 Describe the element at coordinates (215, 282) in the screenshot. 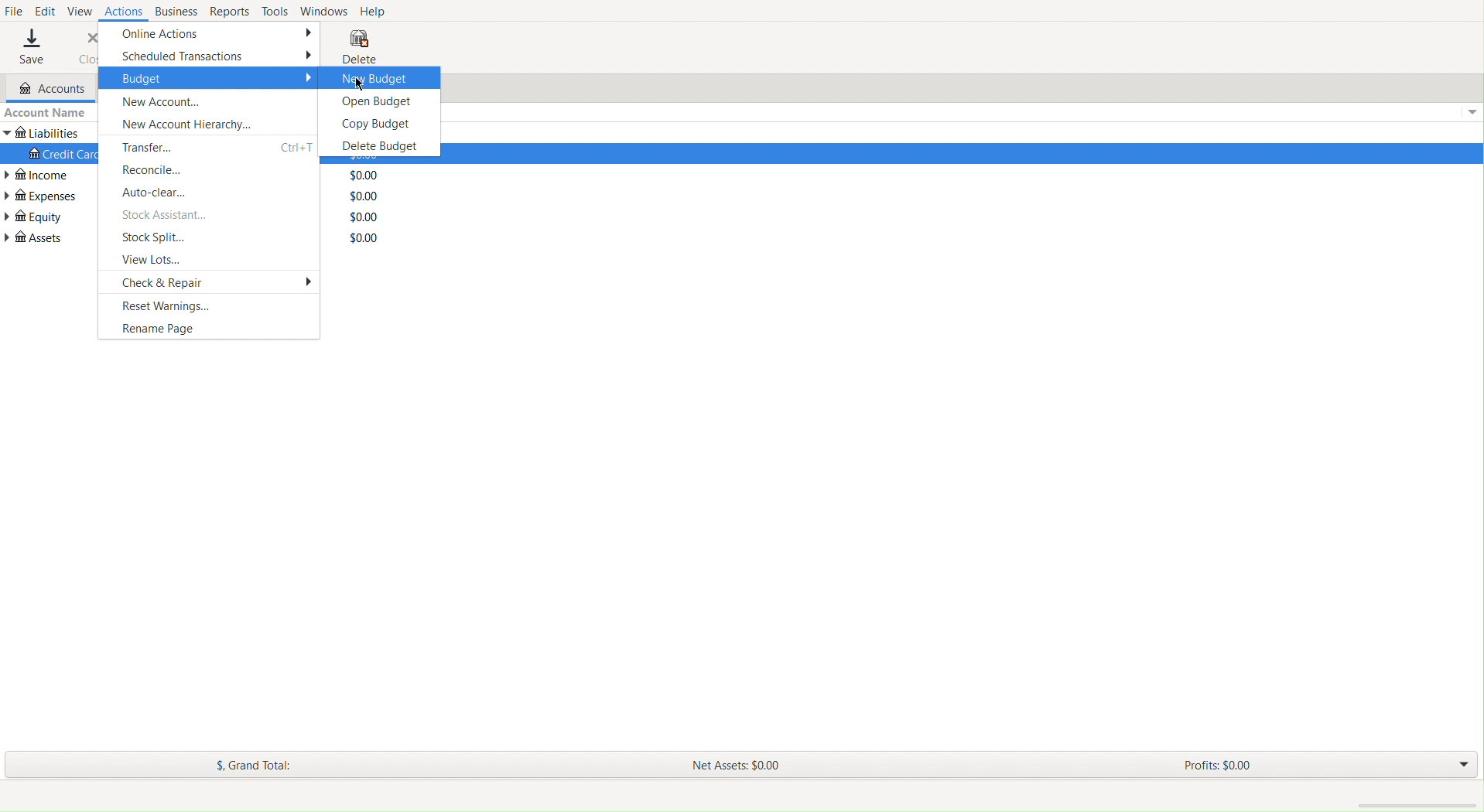

I see `Check and Repair` at that location.